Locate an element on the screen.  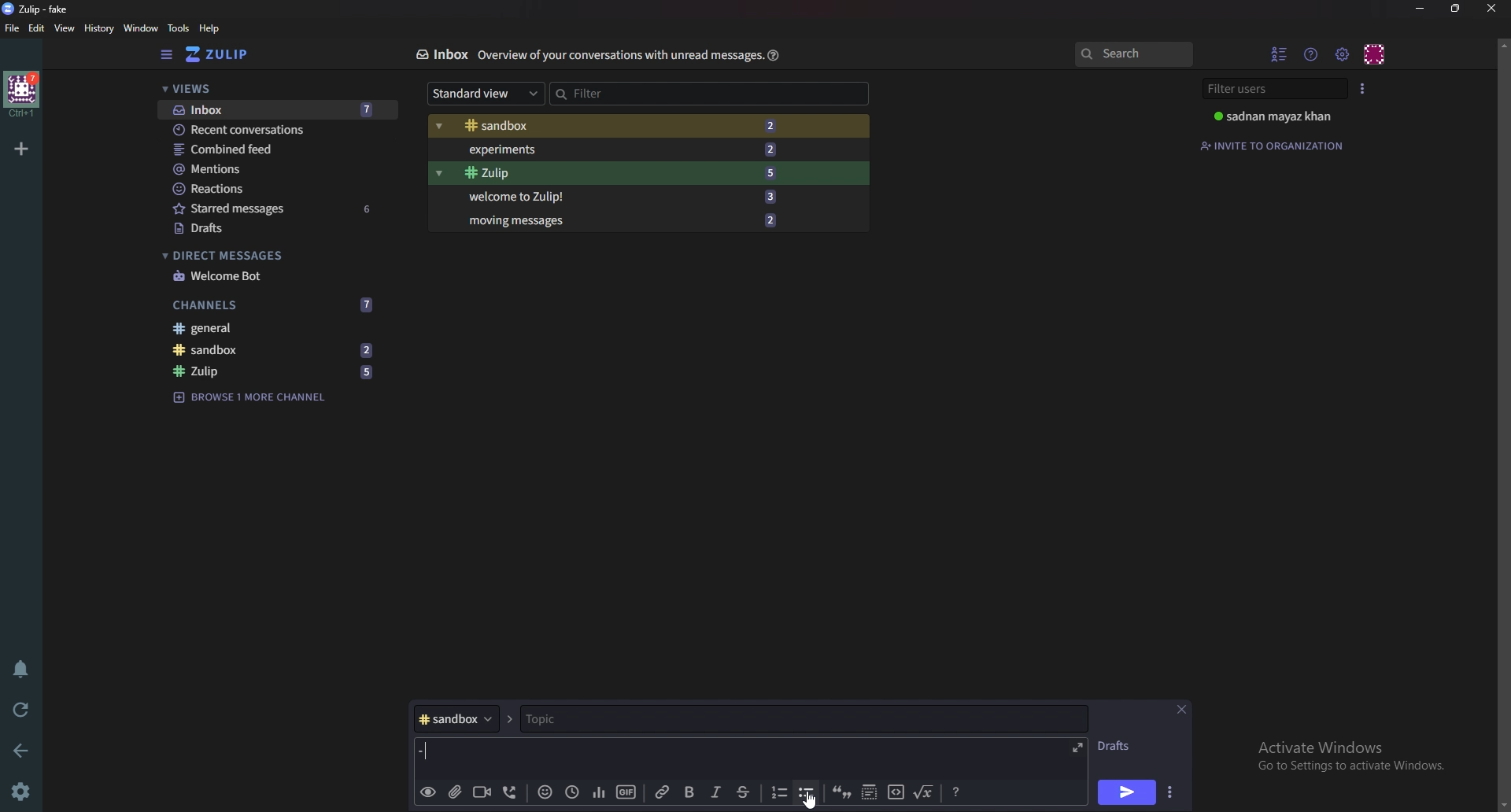
Channel is located at coordinates (456, 718).